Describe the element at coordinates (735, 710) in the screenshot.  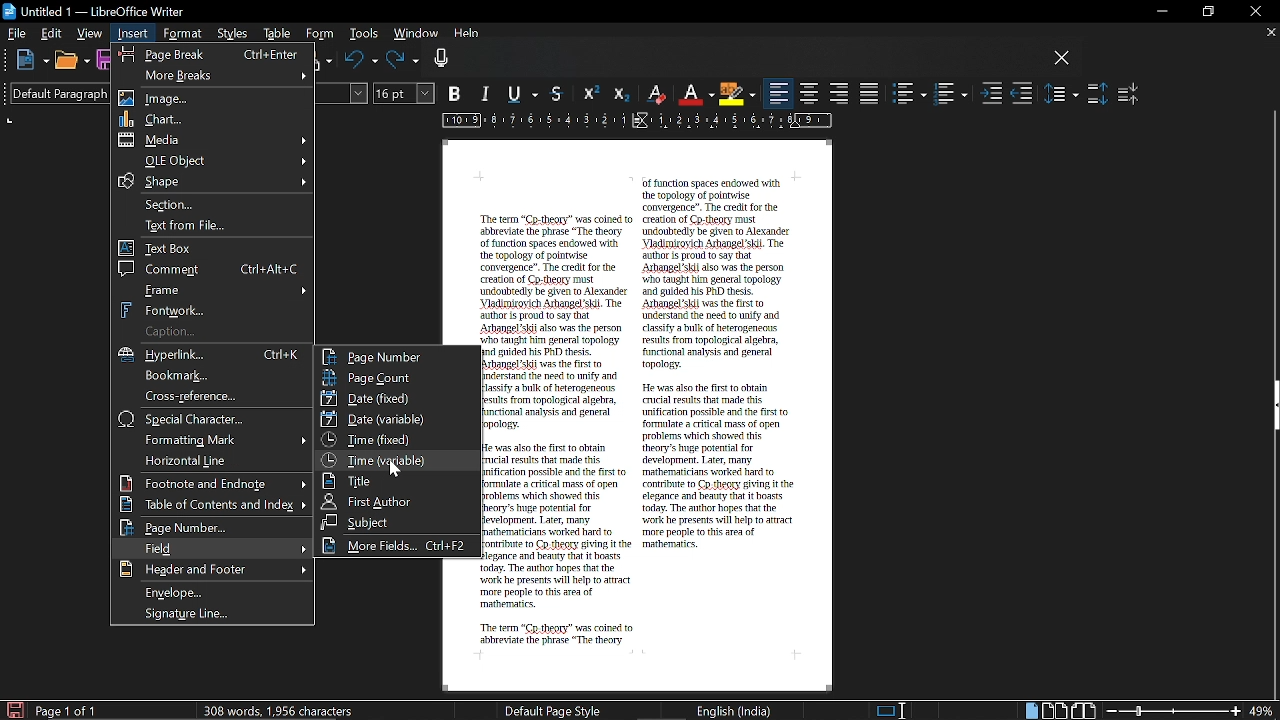
I see `English (India)` at that location.